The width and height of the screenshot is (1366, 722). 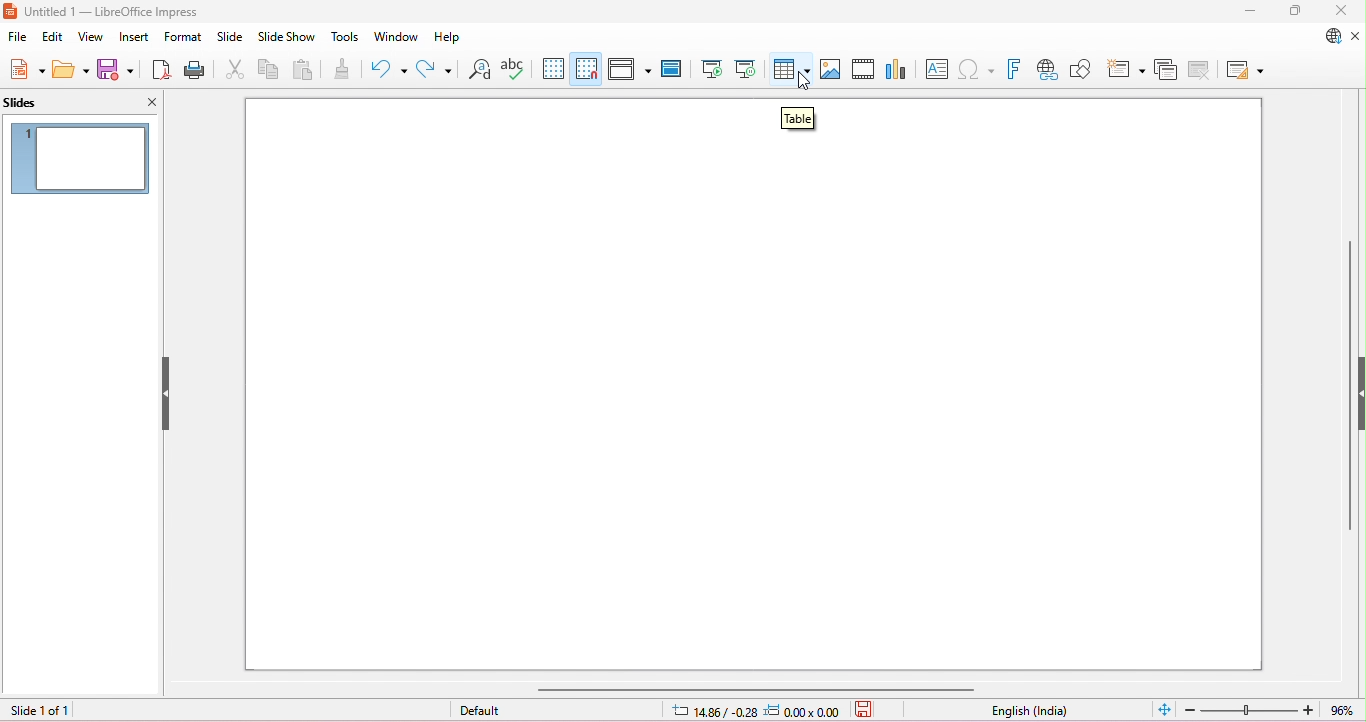 What do you see at coordinates (714, 712) in the screenshot?
I see `cursor position` at bounding box center [714, 712].